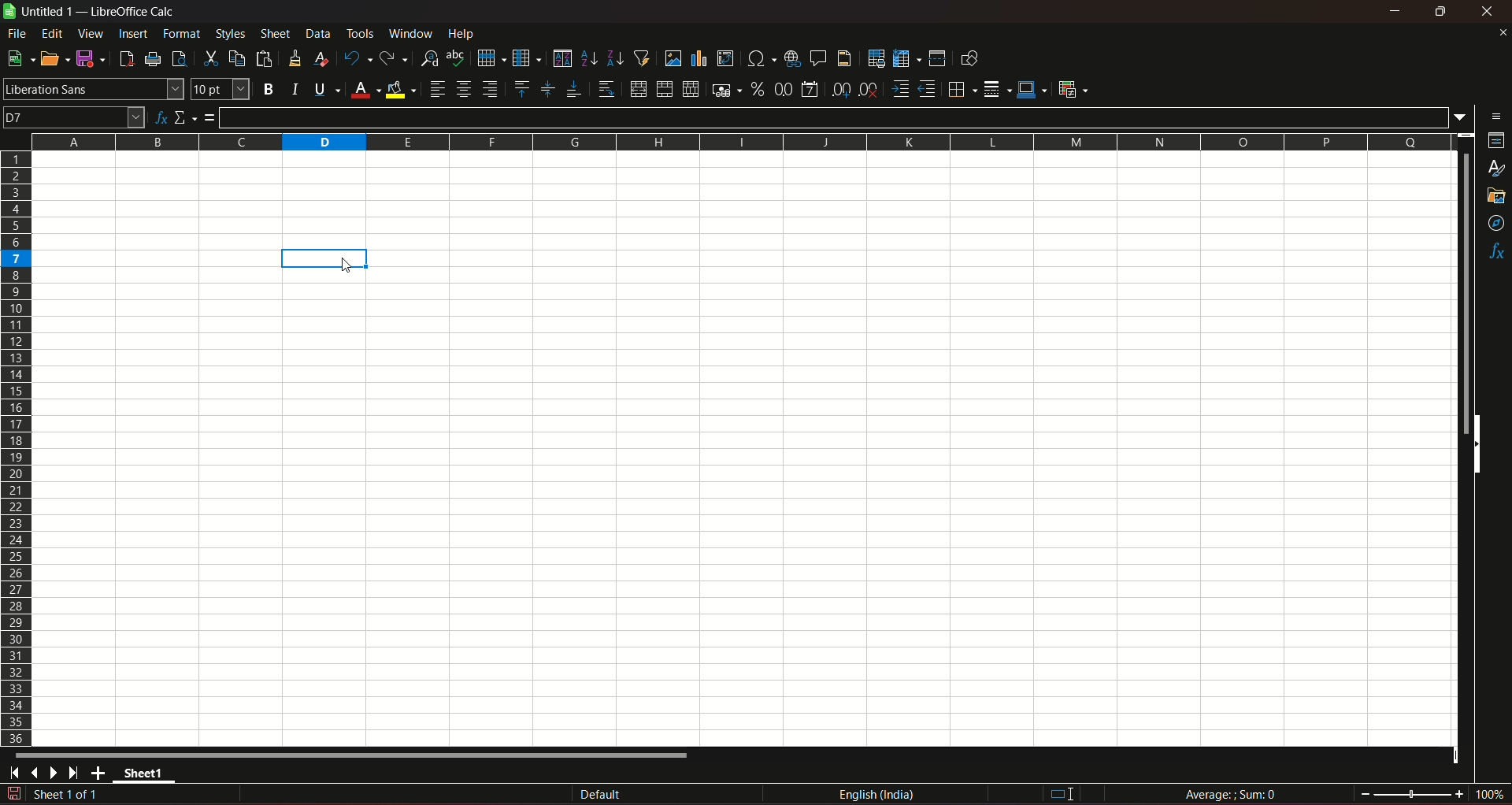 This screenshot has height=805, width=1512. I want to click on clone formatting, so click(296, 57).